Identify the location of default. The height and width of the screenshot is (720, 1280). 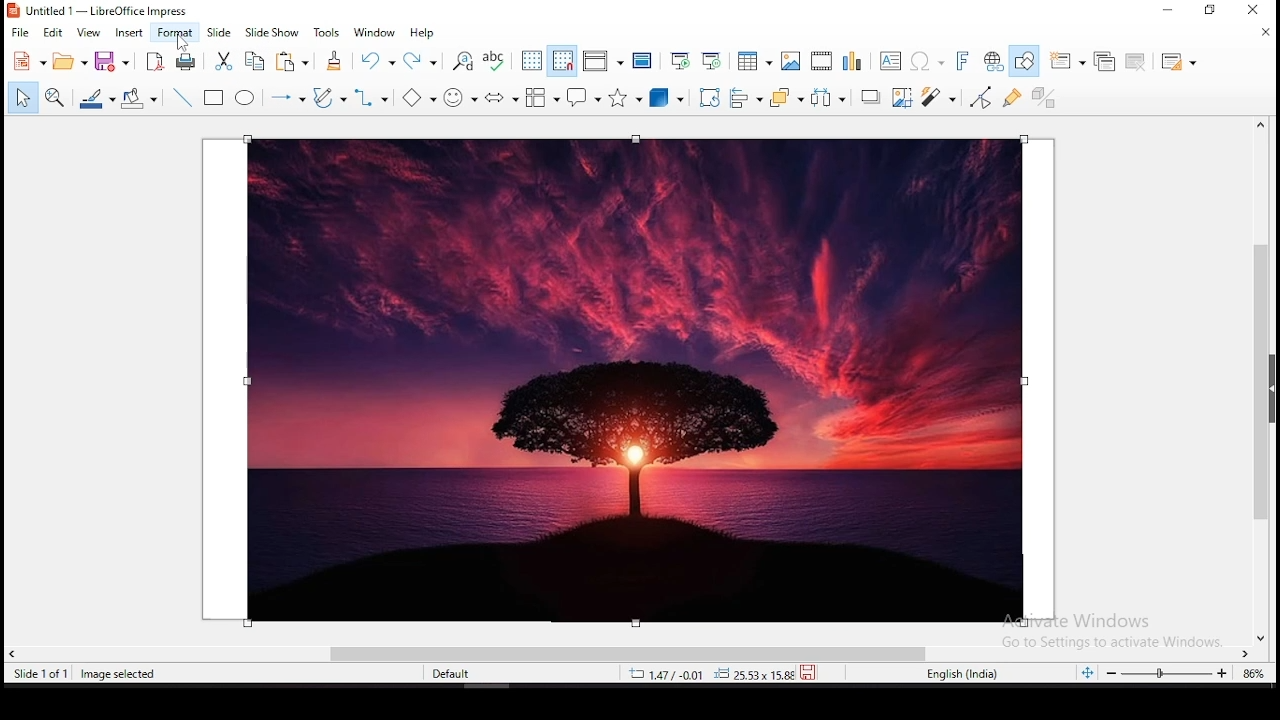
(457, 677).